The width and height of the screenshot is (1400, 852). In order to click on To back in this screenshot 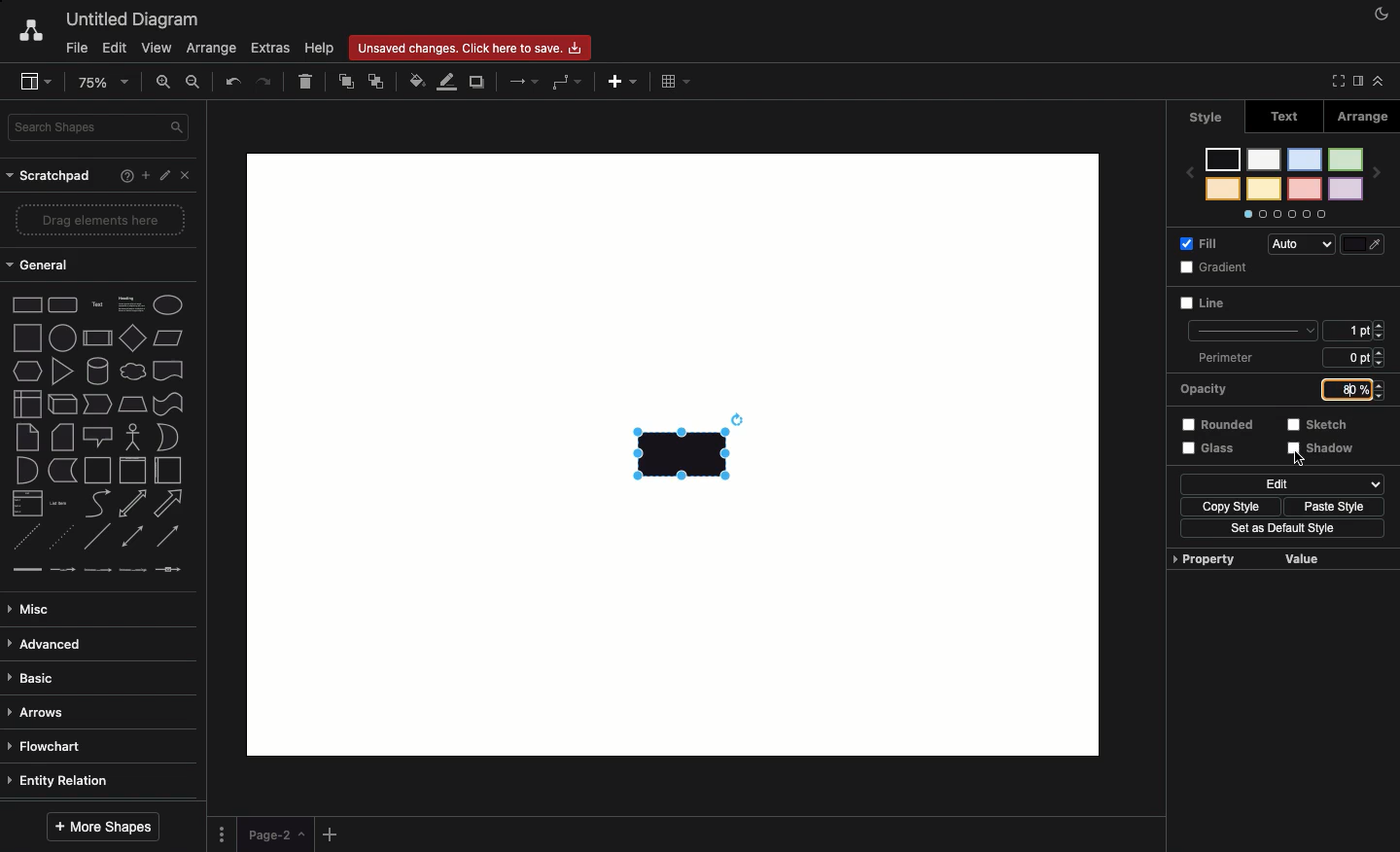, I will do `click(376, 83)`.